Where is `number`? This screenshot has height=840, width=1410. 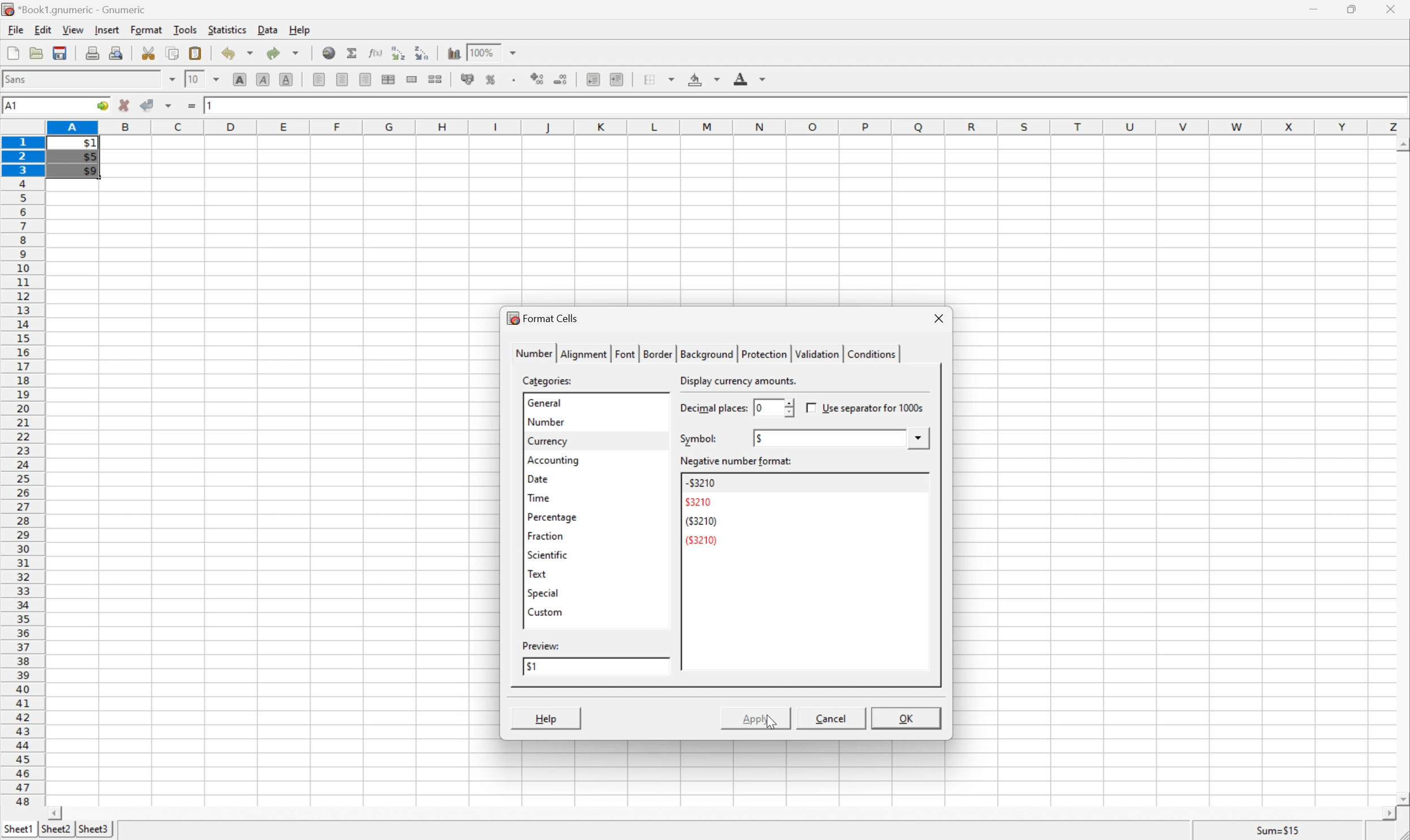
number is located at coordinates (533, 352).